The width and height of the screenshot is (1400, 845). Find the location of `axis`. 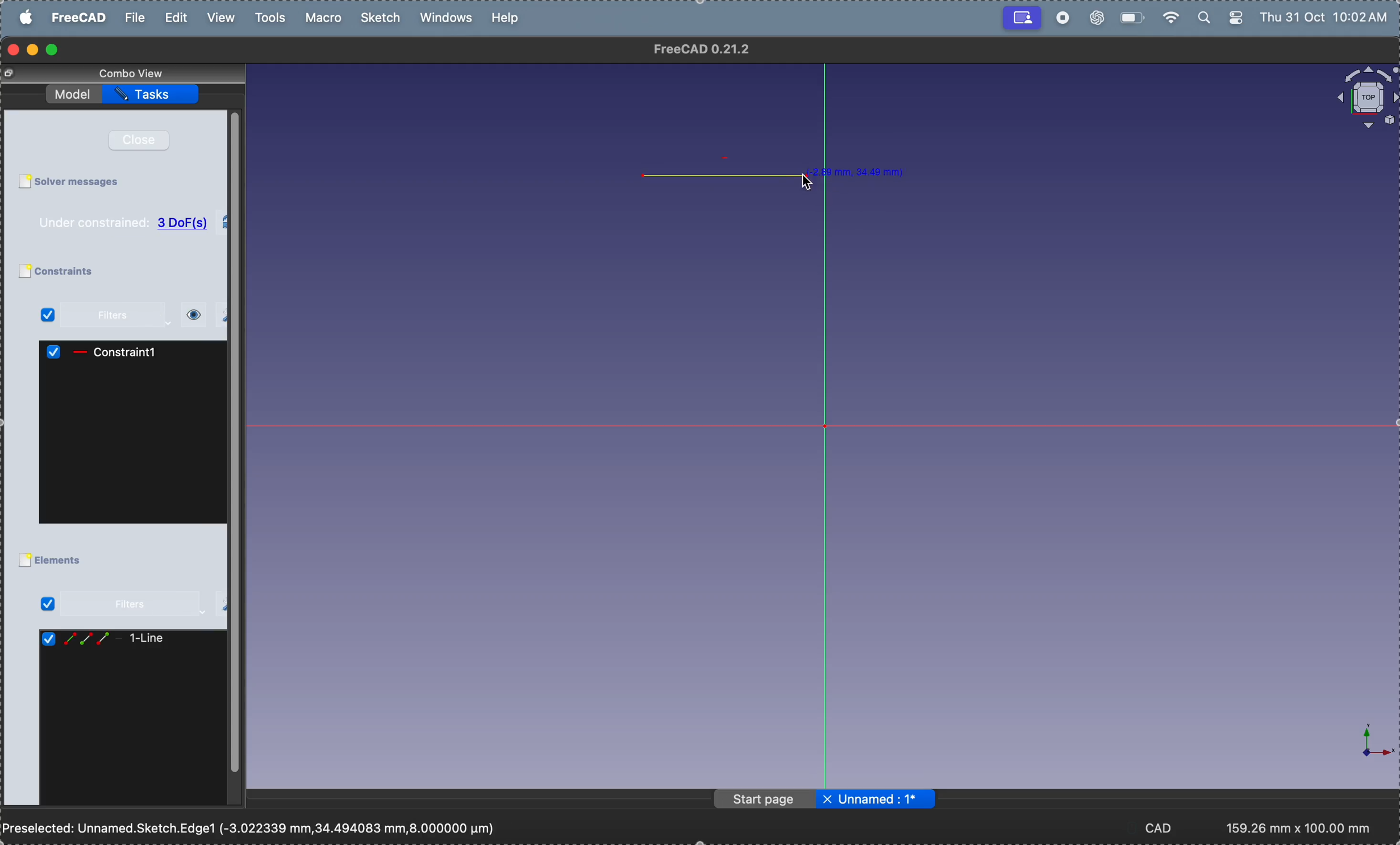

axis is located at coordinates (1366, 742).